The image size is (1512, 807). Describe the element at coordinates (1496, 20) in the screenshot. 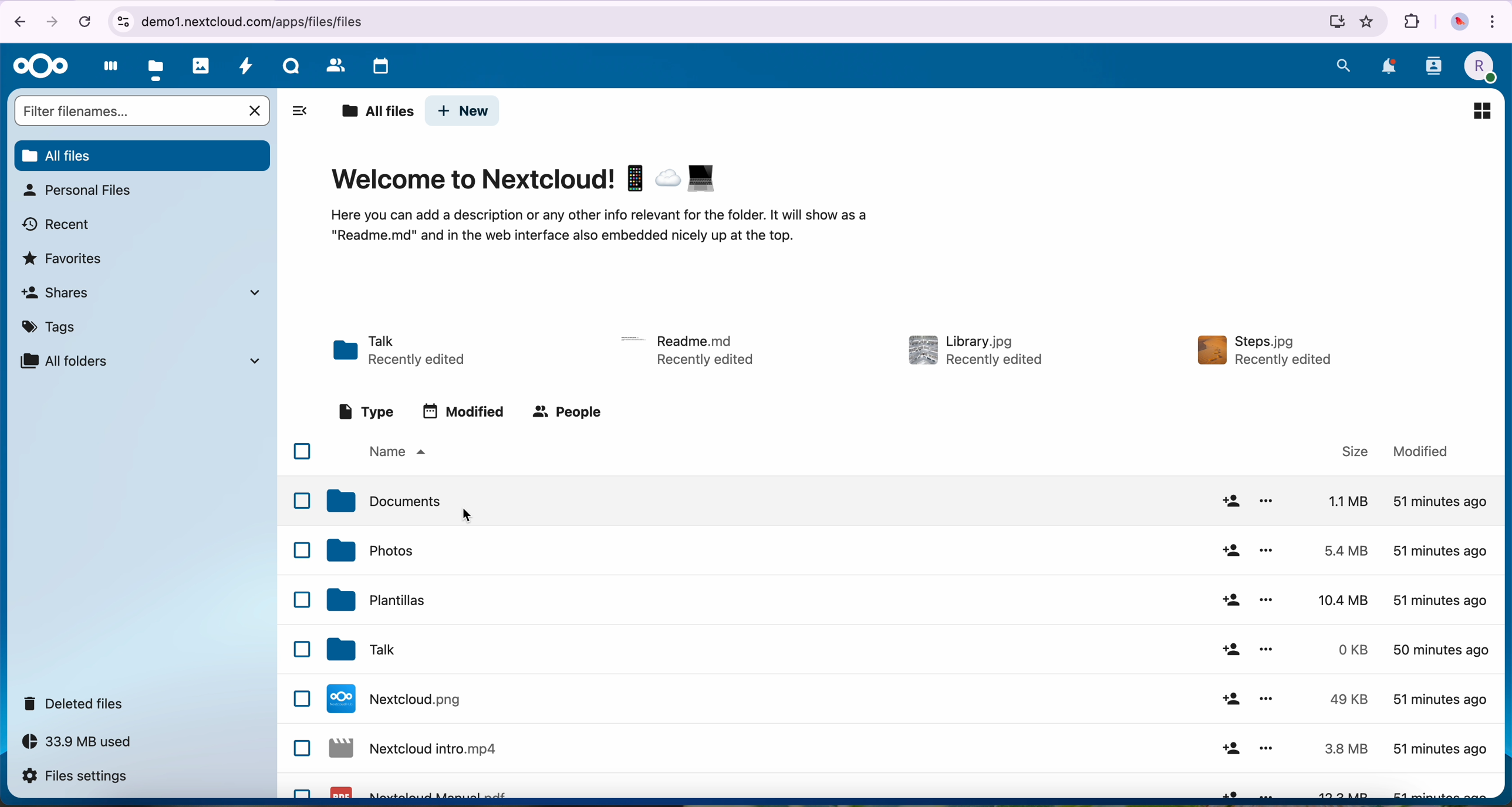

I see `customize and control Google Chrome` at that location.